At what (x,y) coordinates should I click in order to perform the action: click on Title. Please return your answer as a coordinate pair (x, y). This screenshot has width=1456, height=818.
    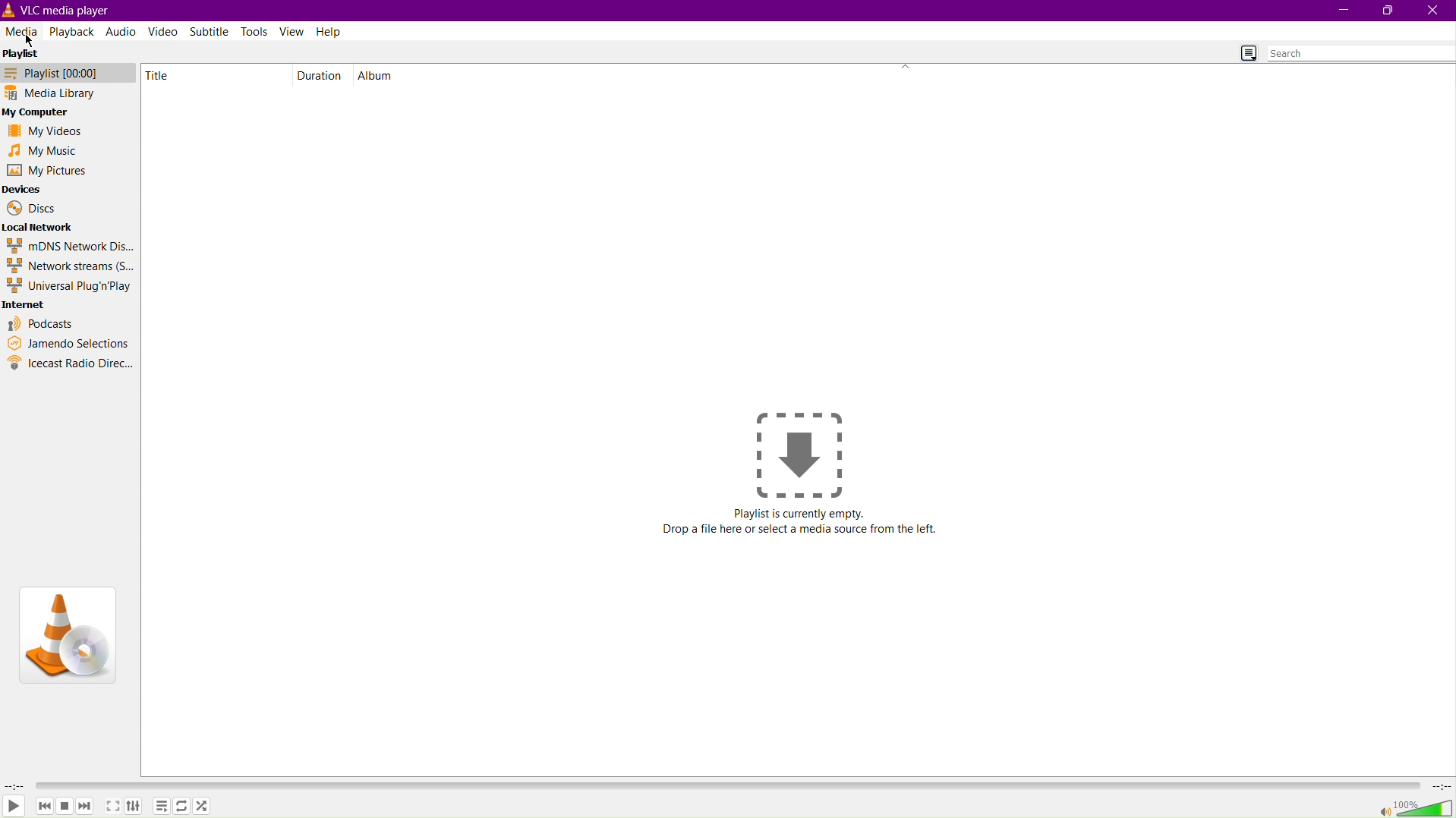
    Looking at the image, I should click on (166, 75).